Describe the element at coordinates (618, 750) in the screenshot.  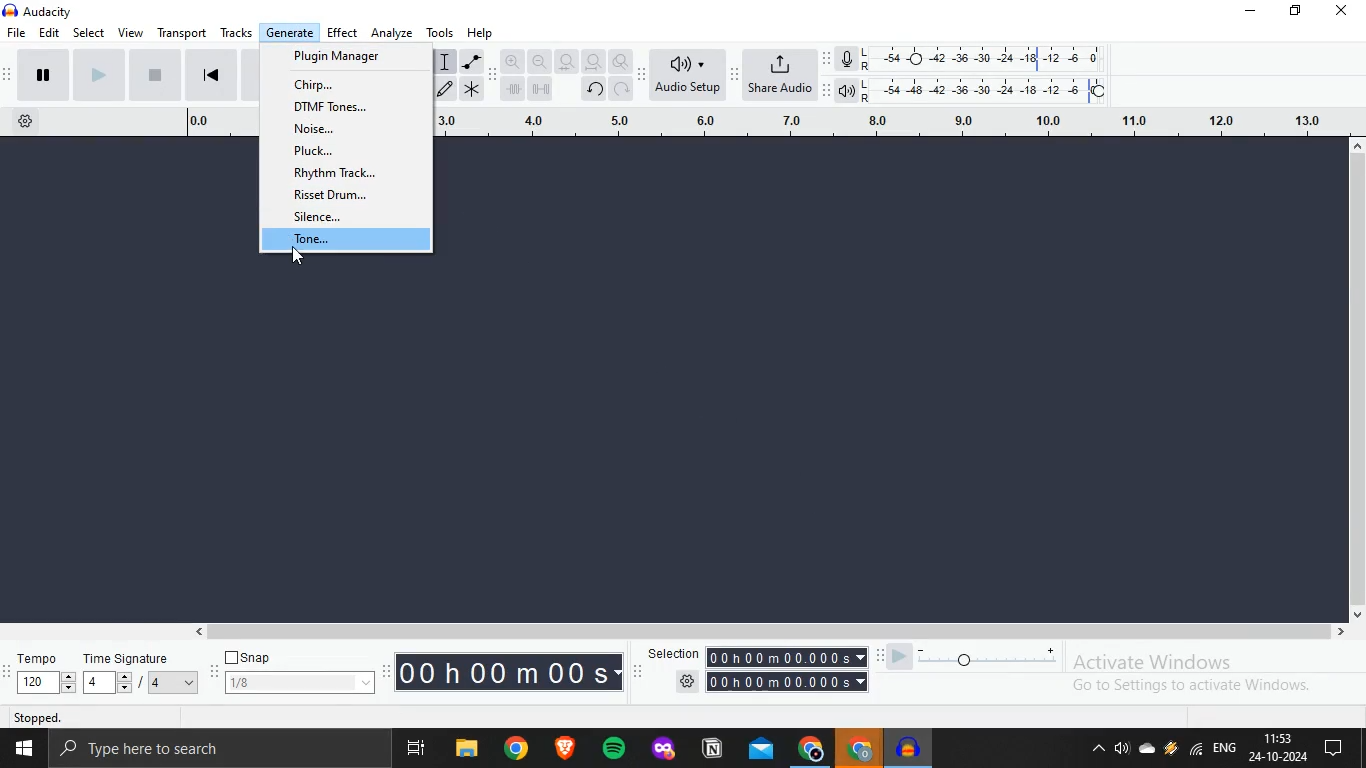
I see `Spotify` at that location.